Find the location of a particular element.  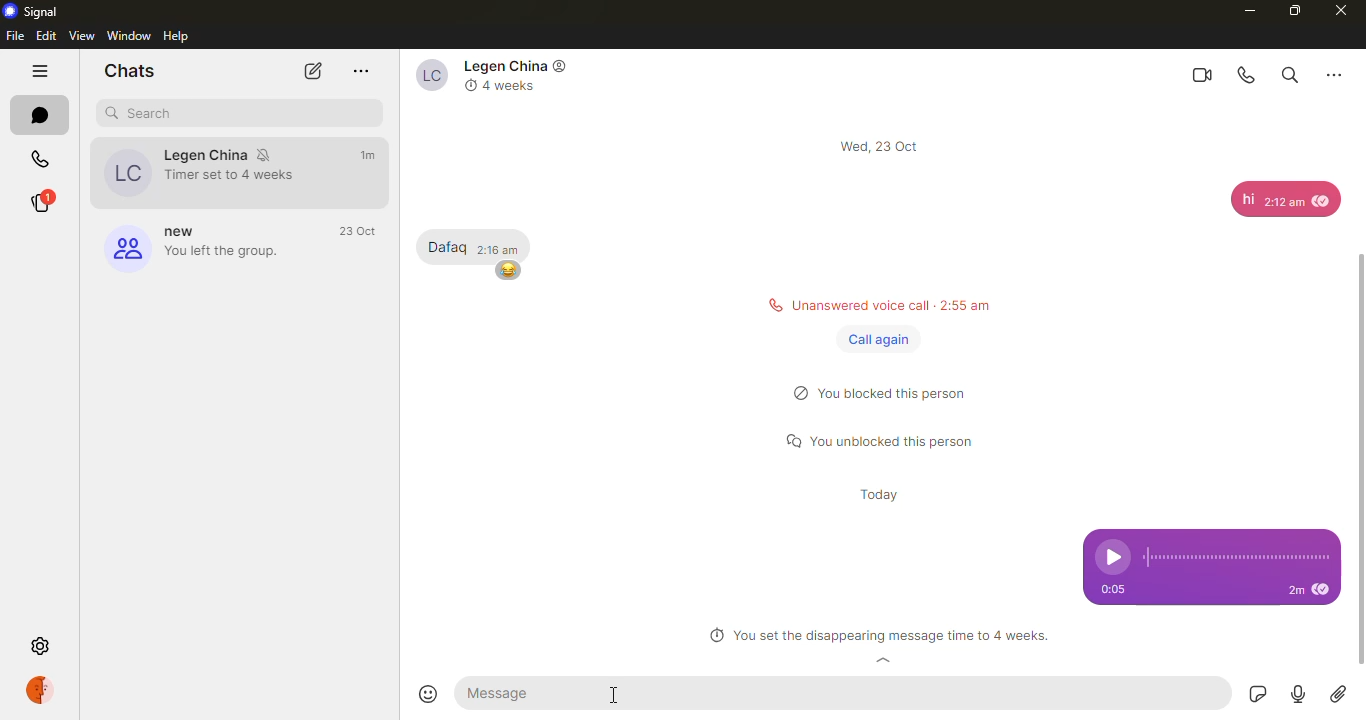

more is located at coordinates (362, 71).